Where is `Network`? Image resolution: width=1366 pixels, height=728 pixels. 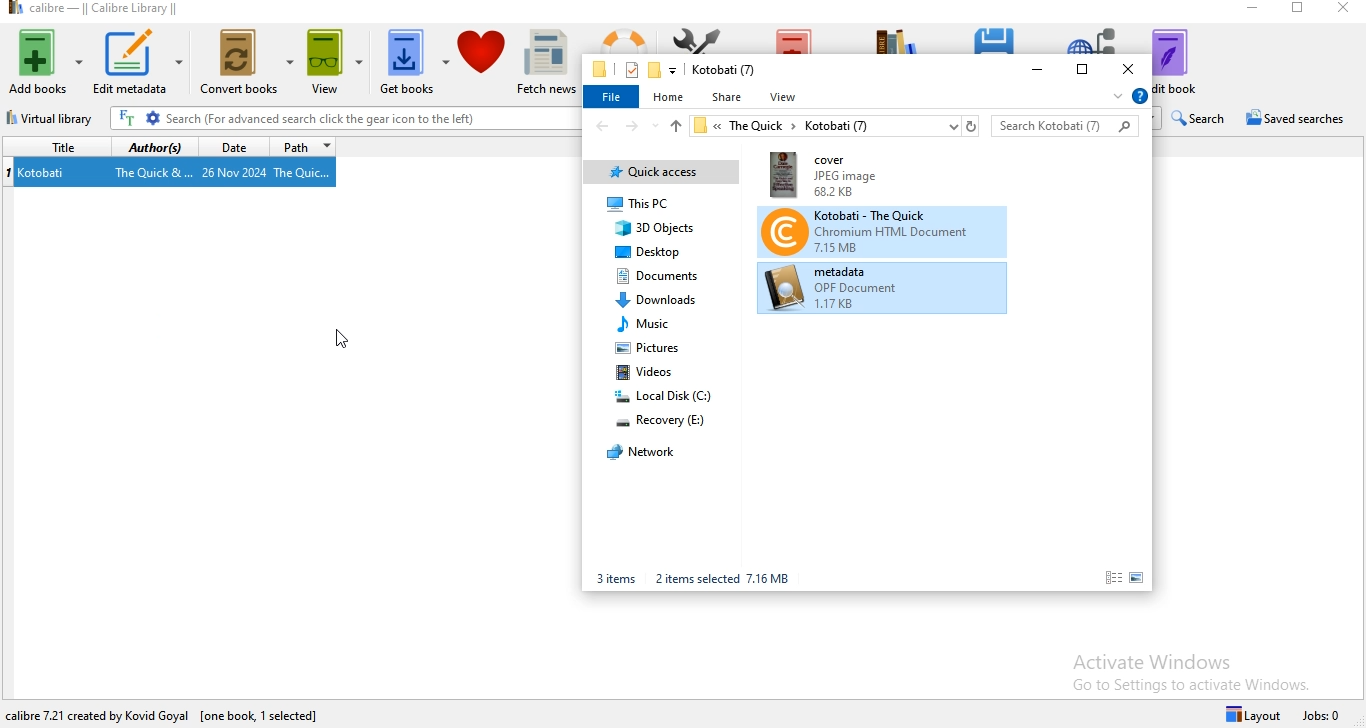 Network is located at coordinates (645, 455).